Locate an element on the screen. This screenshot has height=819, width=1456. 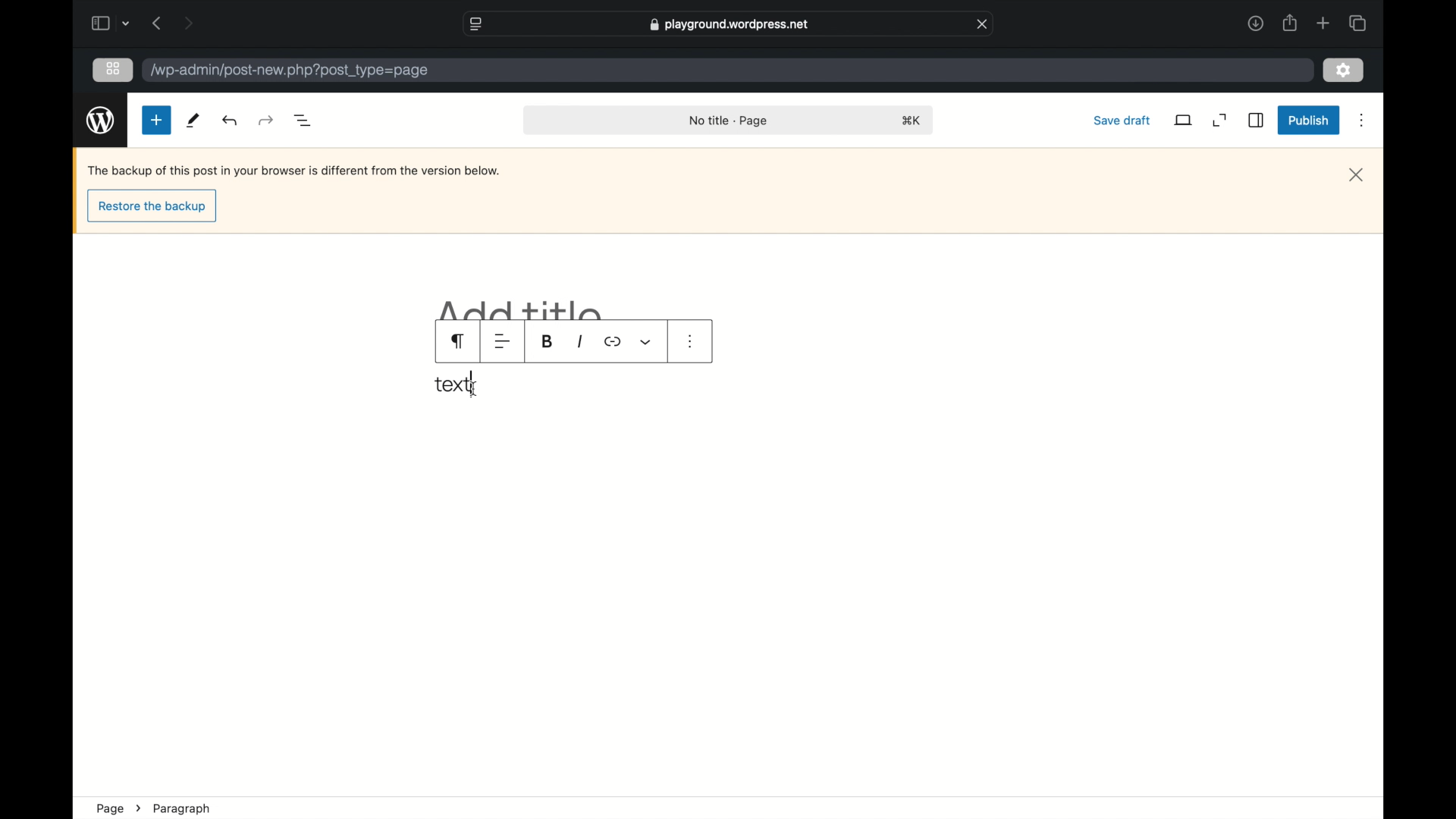
share is located at coordinates (1291, 23).